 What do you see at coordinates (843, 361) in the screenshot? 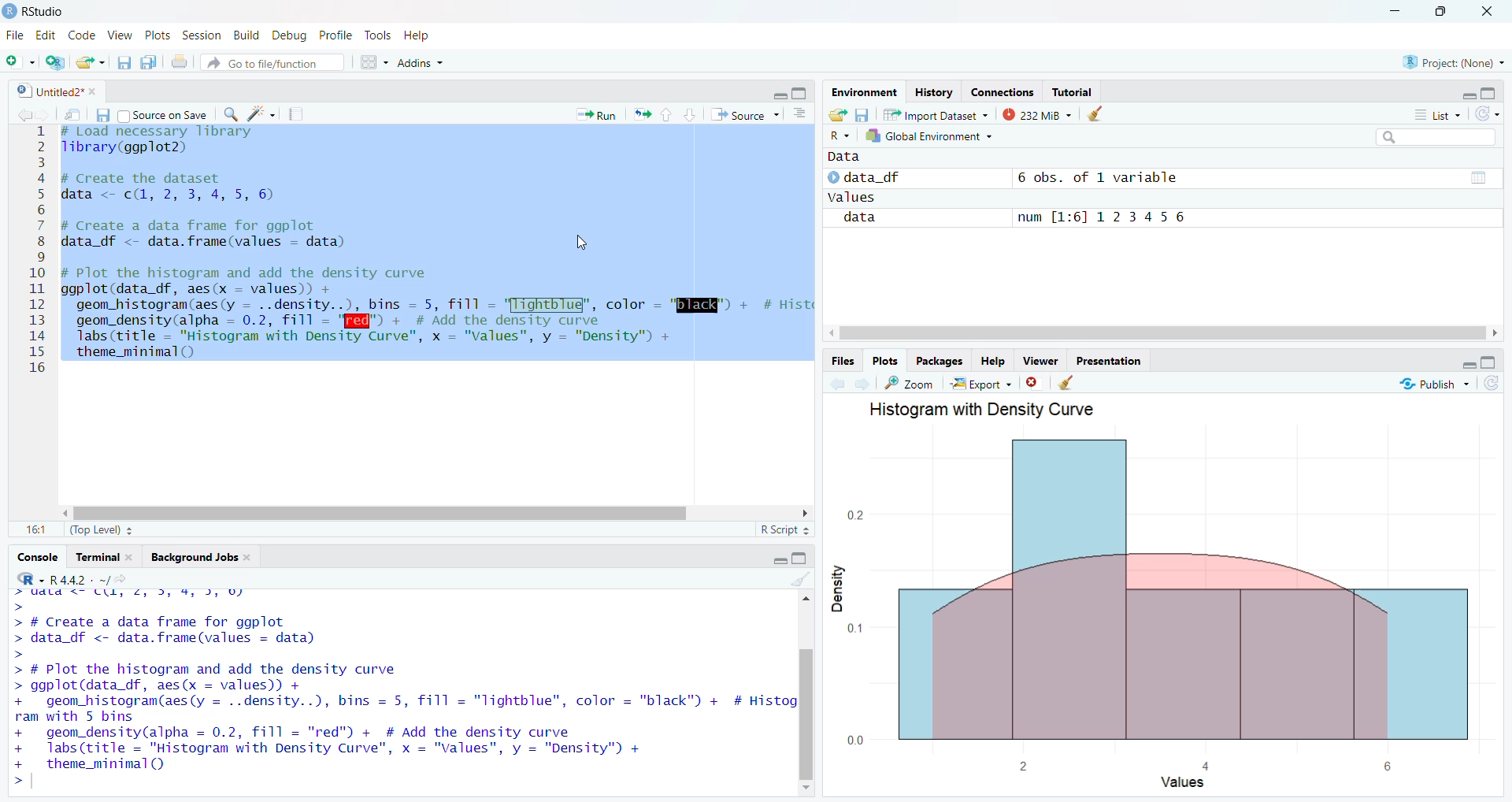
I see `Files` at bounding box center [843, 361].